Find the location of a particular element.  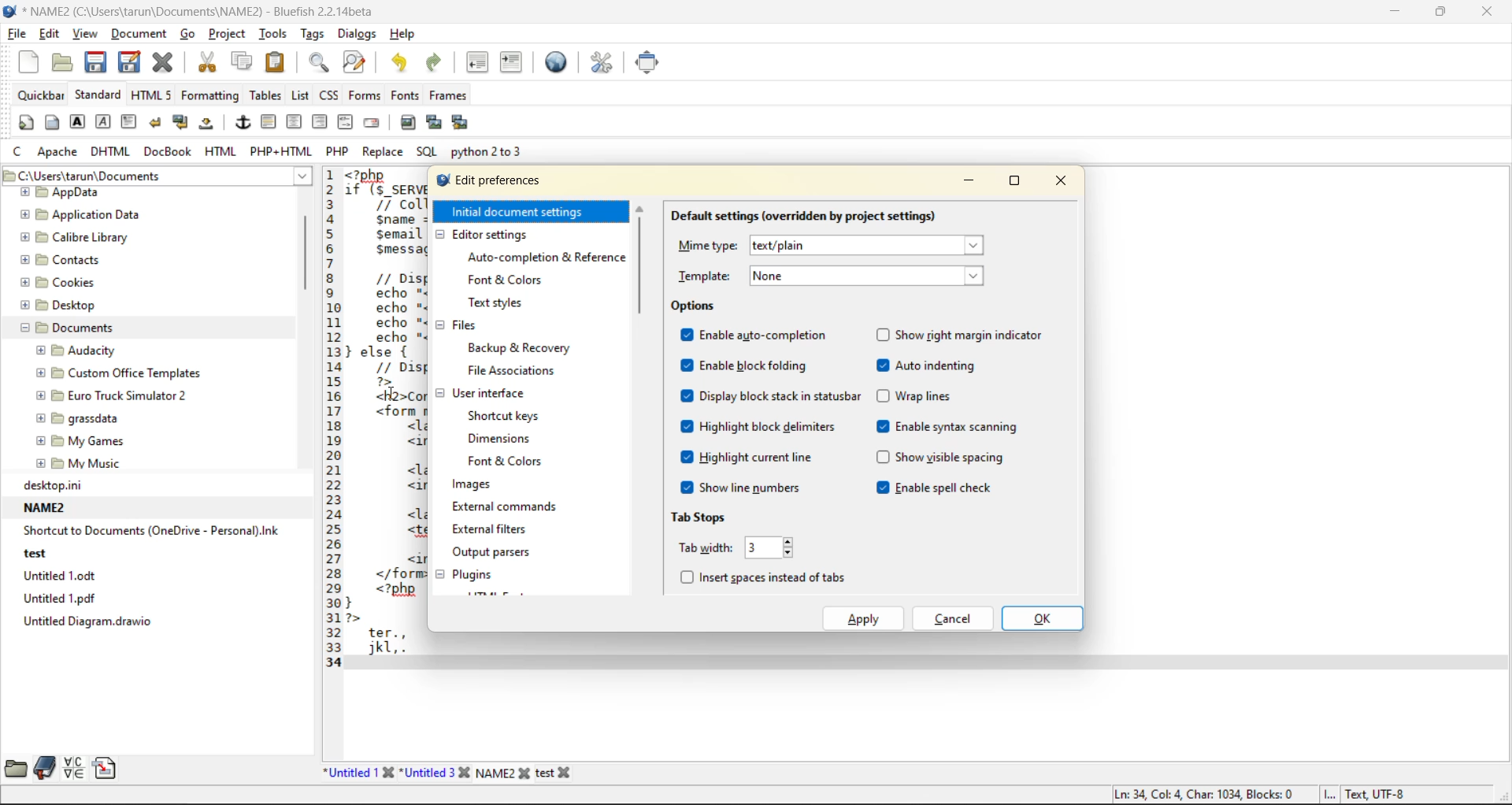

save as is located at coordinates (131, 65).